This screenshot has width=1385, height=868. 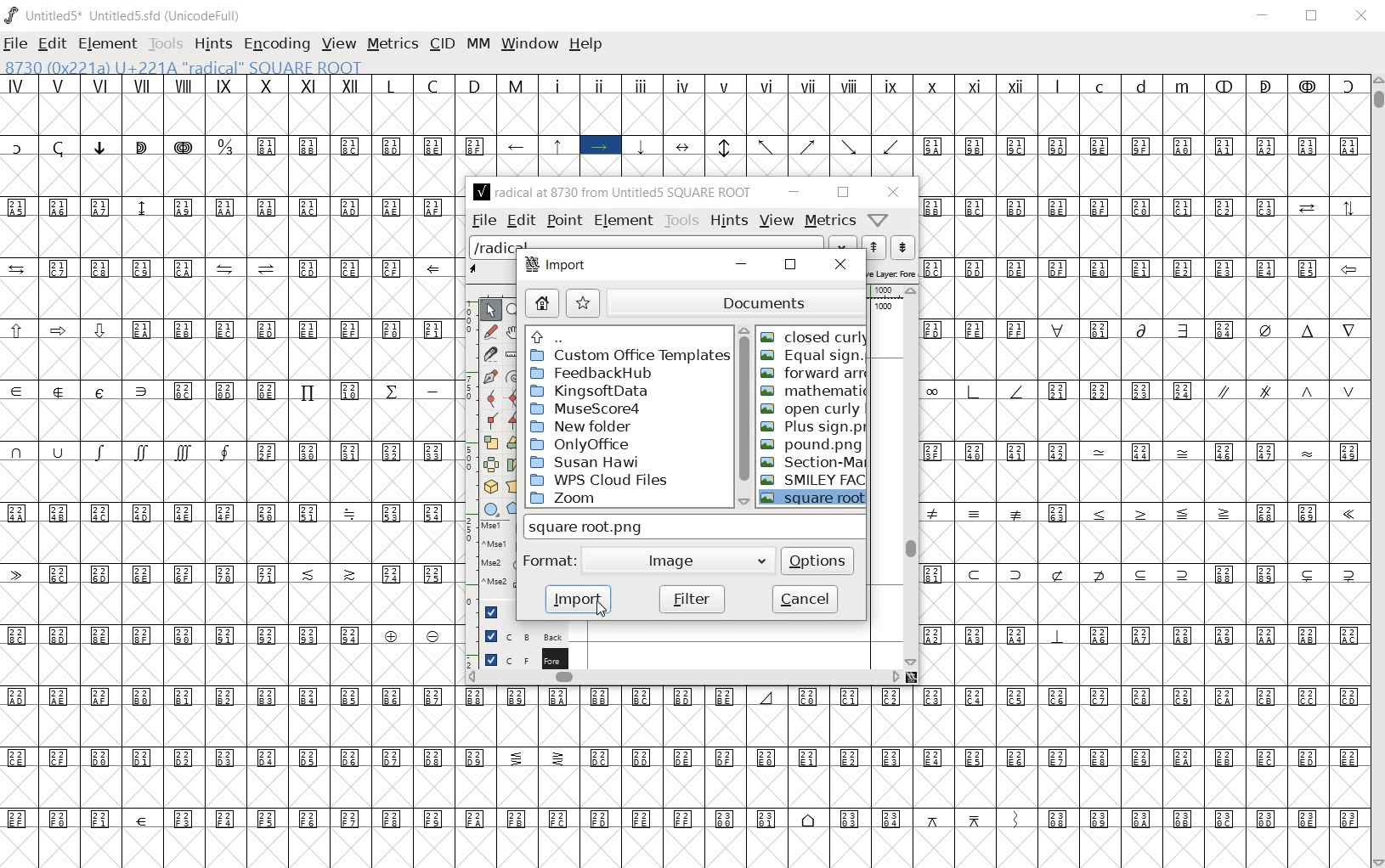 What do you see at coordinates (512, 464) in the screenshot?
I see `Rotate the selection` at bounding box center [512, 464].